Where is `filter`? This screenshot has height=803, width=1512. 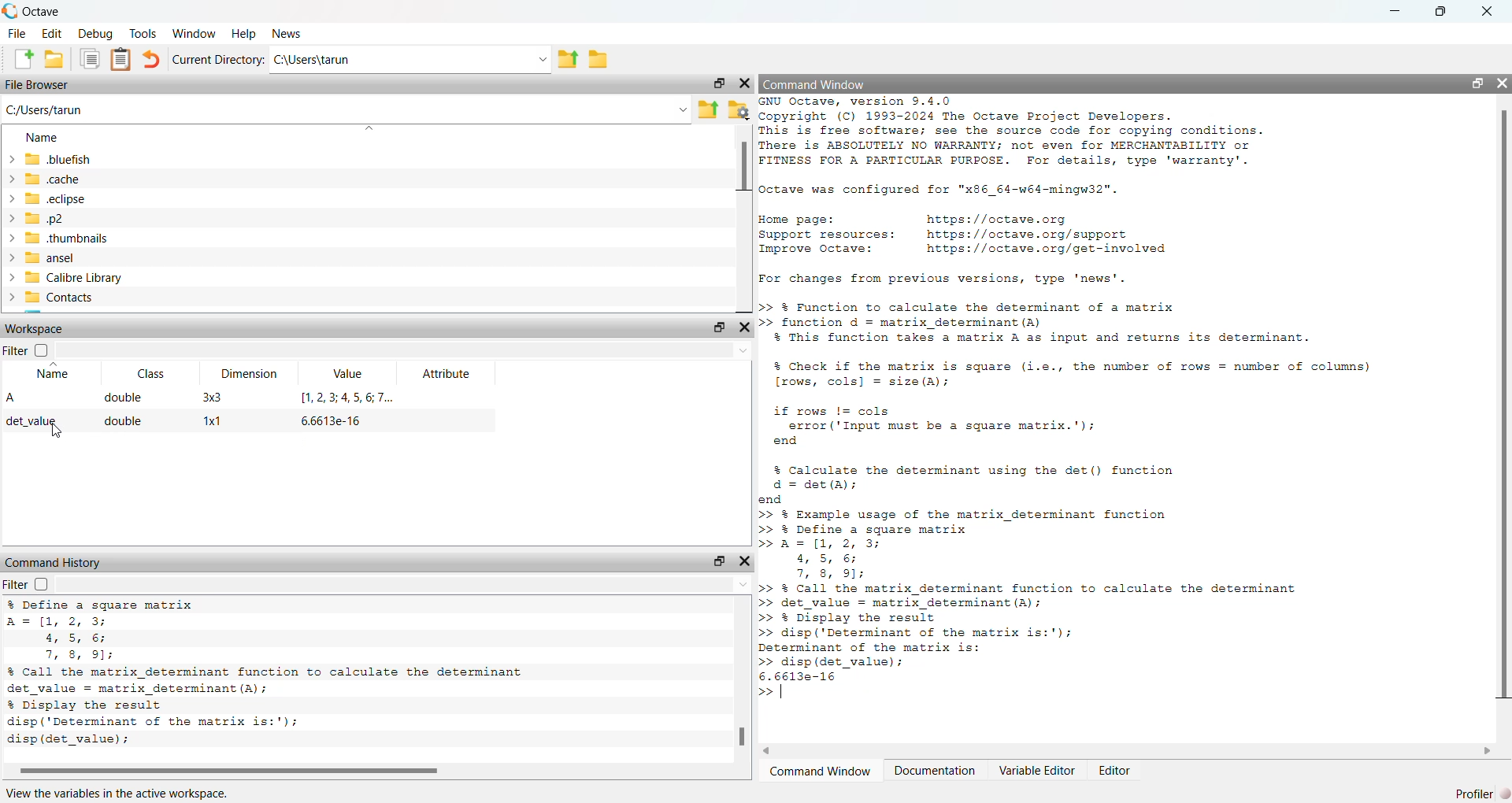 filter is located at coordinates (15, 585).